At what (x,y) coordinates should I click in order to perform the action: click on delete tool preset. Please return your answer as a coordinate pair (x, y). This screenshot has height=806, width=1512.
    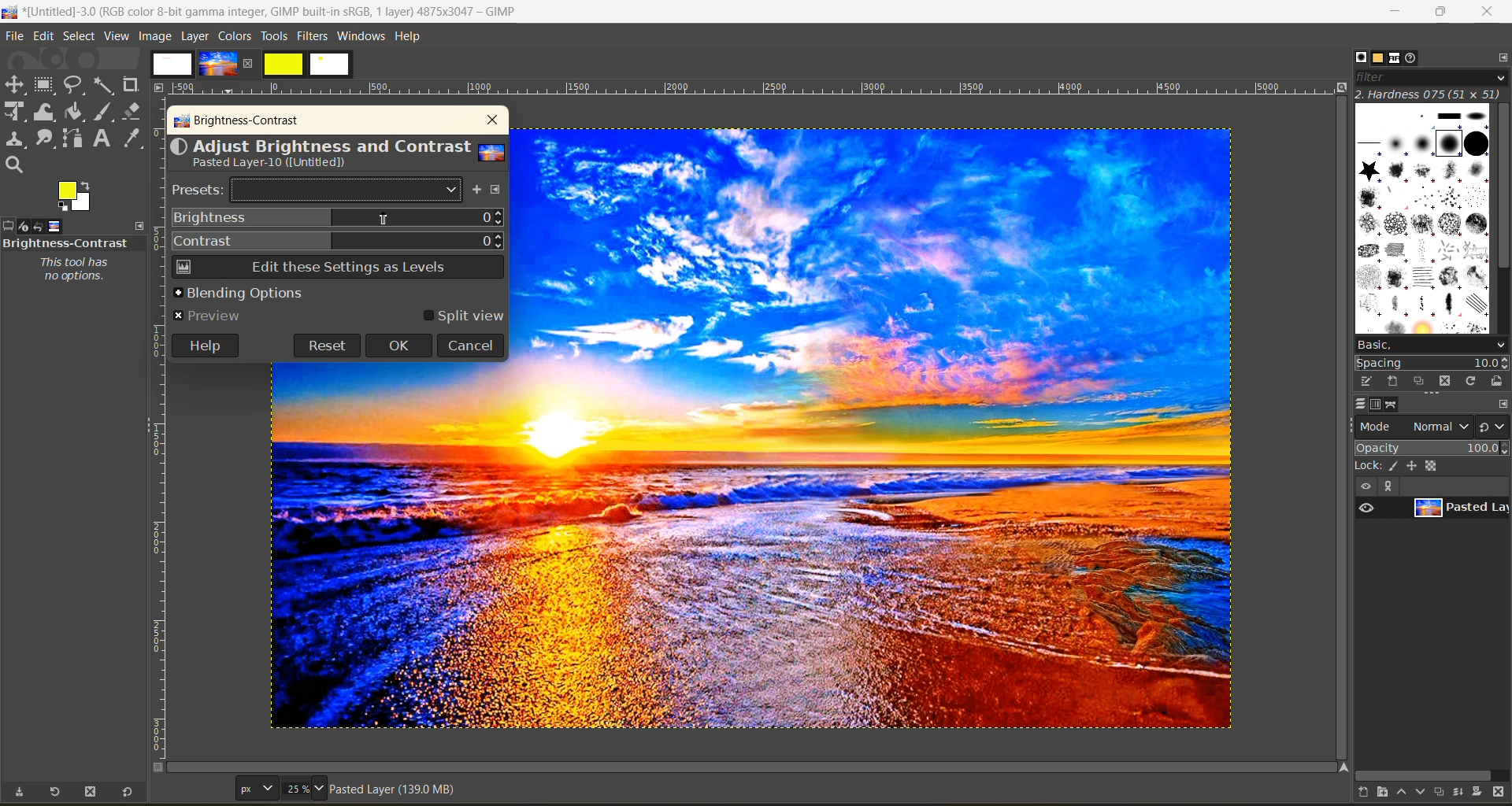
    Looking at the image, I should click on (93, 792).